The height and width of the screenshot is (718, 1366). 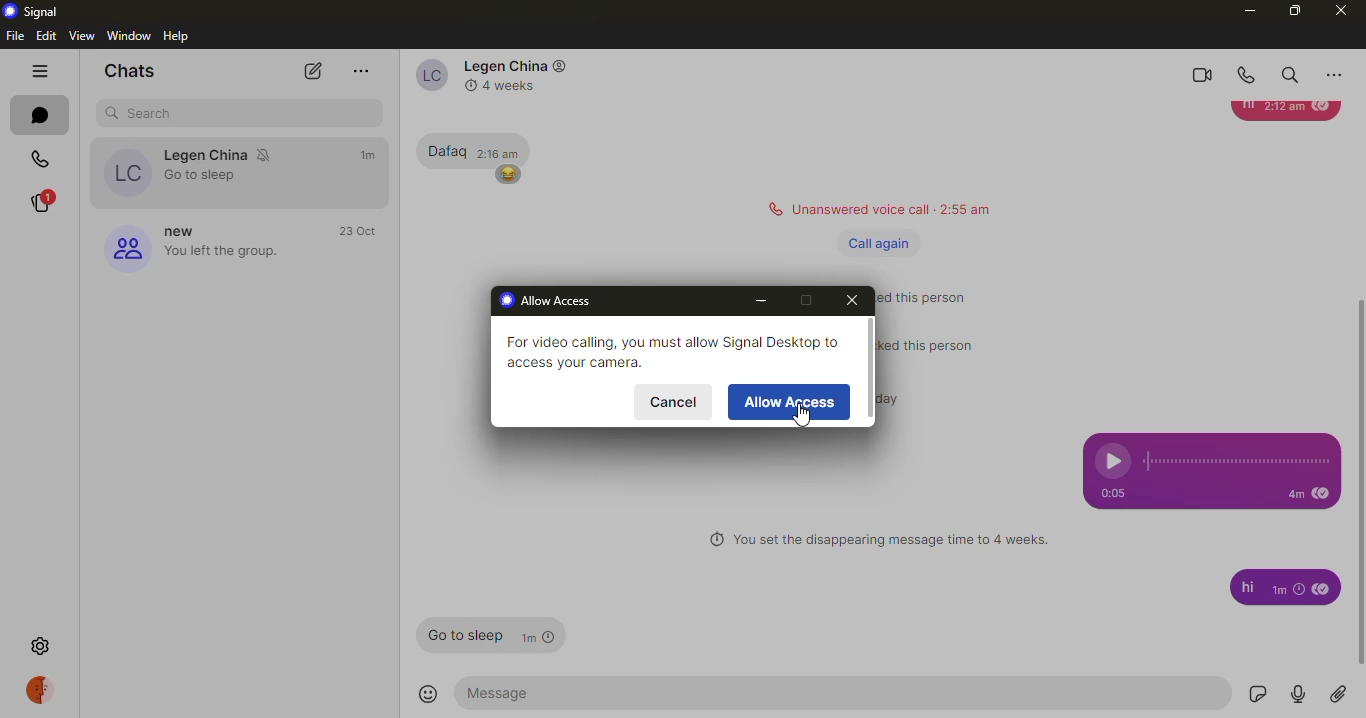 What do you see at coordinates (443, 148) in the screenshot?
I see `Dafaq` at bounding box center [443, 148].